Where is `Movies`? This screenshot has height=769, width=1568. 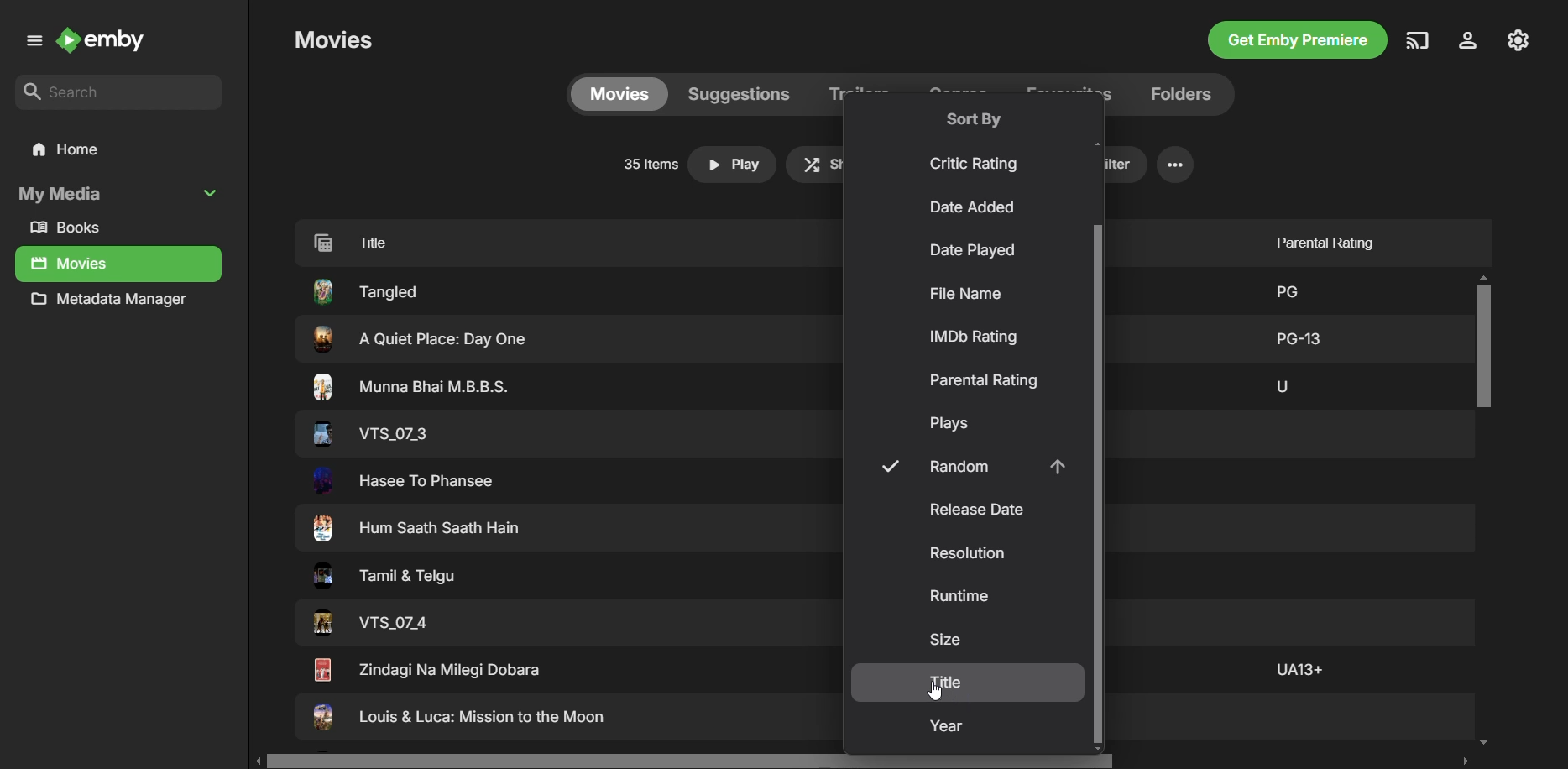
Movies is located at coordinates (333, 39).